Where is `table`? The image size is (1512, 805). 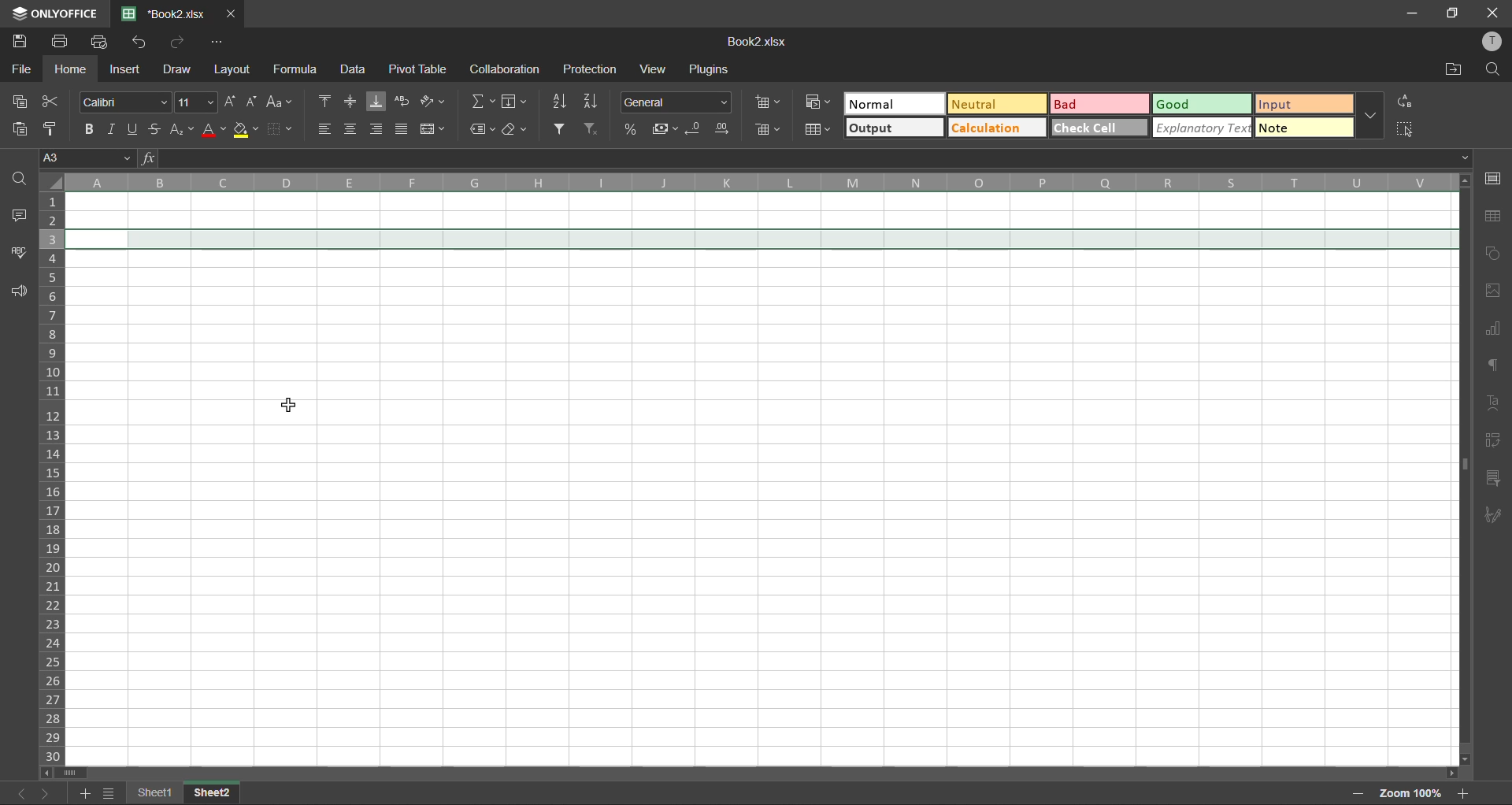
table is located at coordinates (1495, 218).